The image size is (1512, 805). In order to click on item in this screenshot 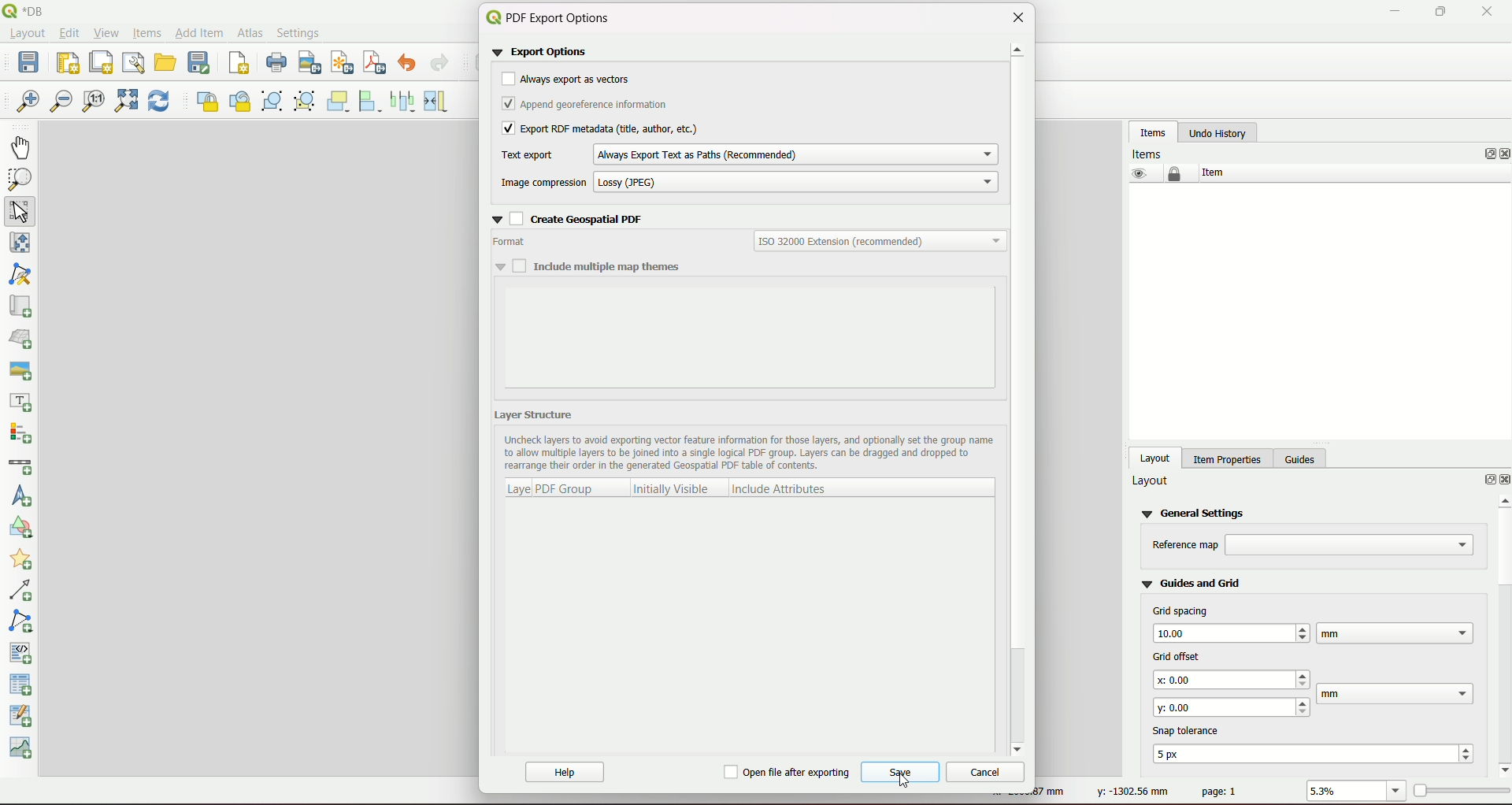, I will do `click(1211, 172)`.